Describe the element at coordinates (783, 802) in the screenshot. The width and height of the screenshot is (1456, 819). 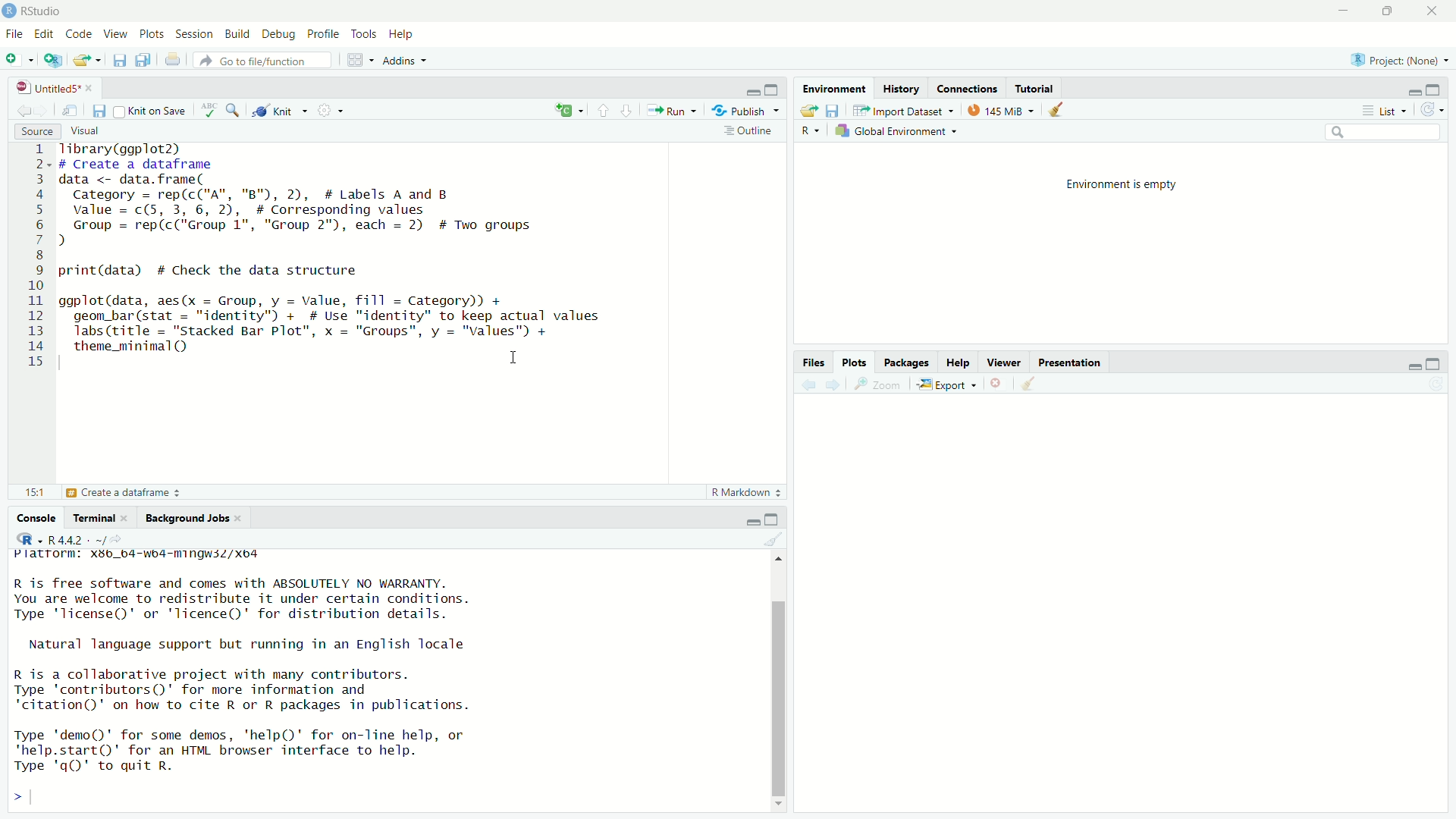
I see `Down` at that location.